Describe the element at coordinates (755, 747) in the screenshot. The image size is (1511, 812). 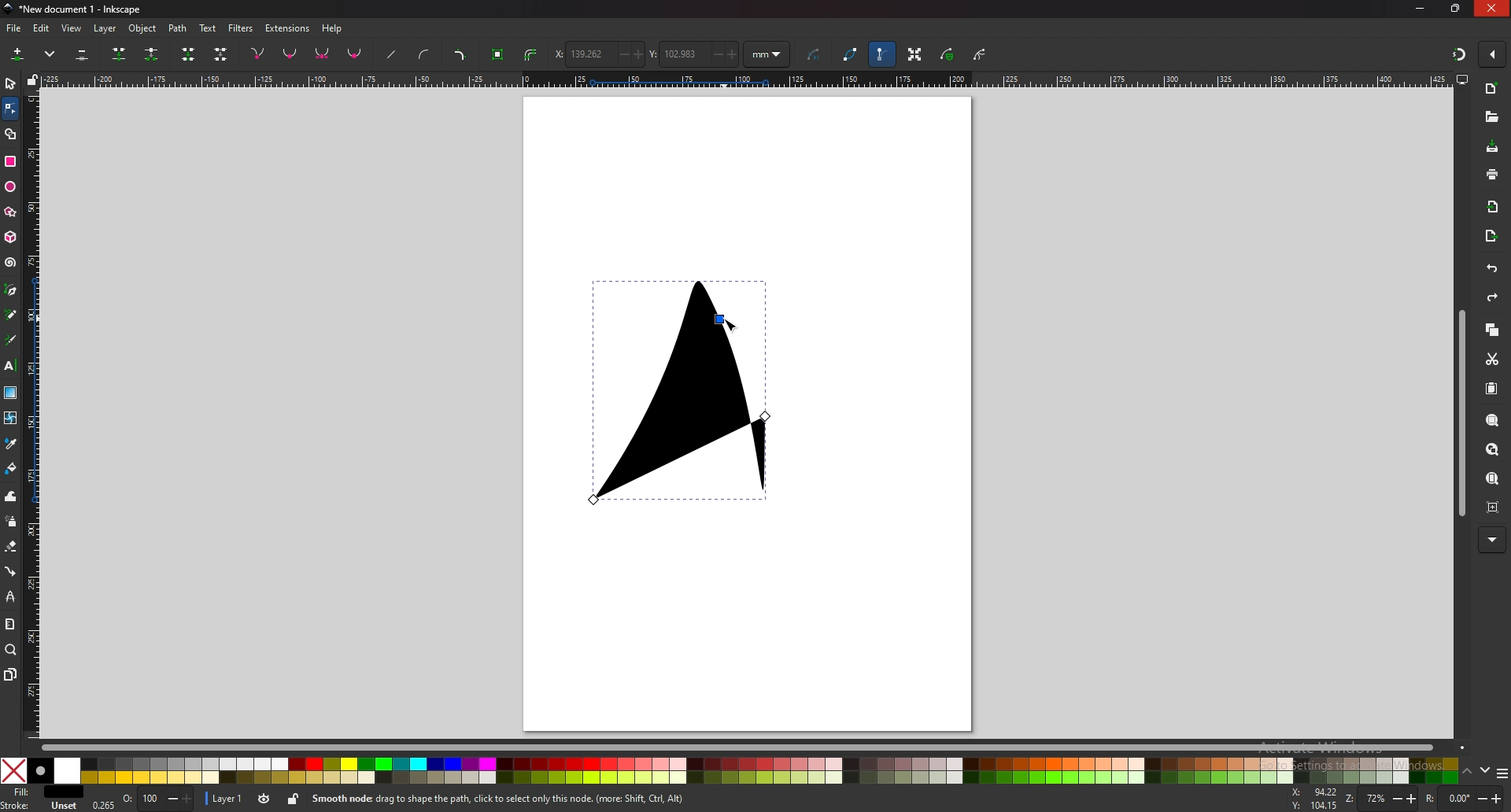
I see `scroll bar` at that location.